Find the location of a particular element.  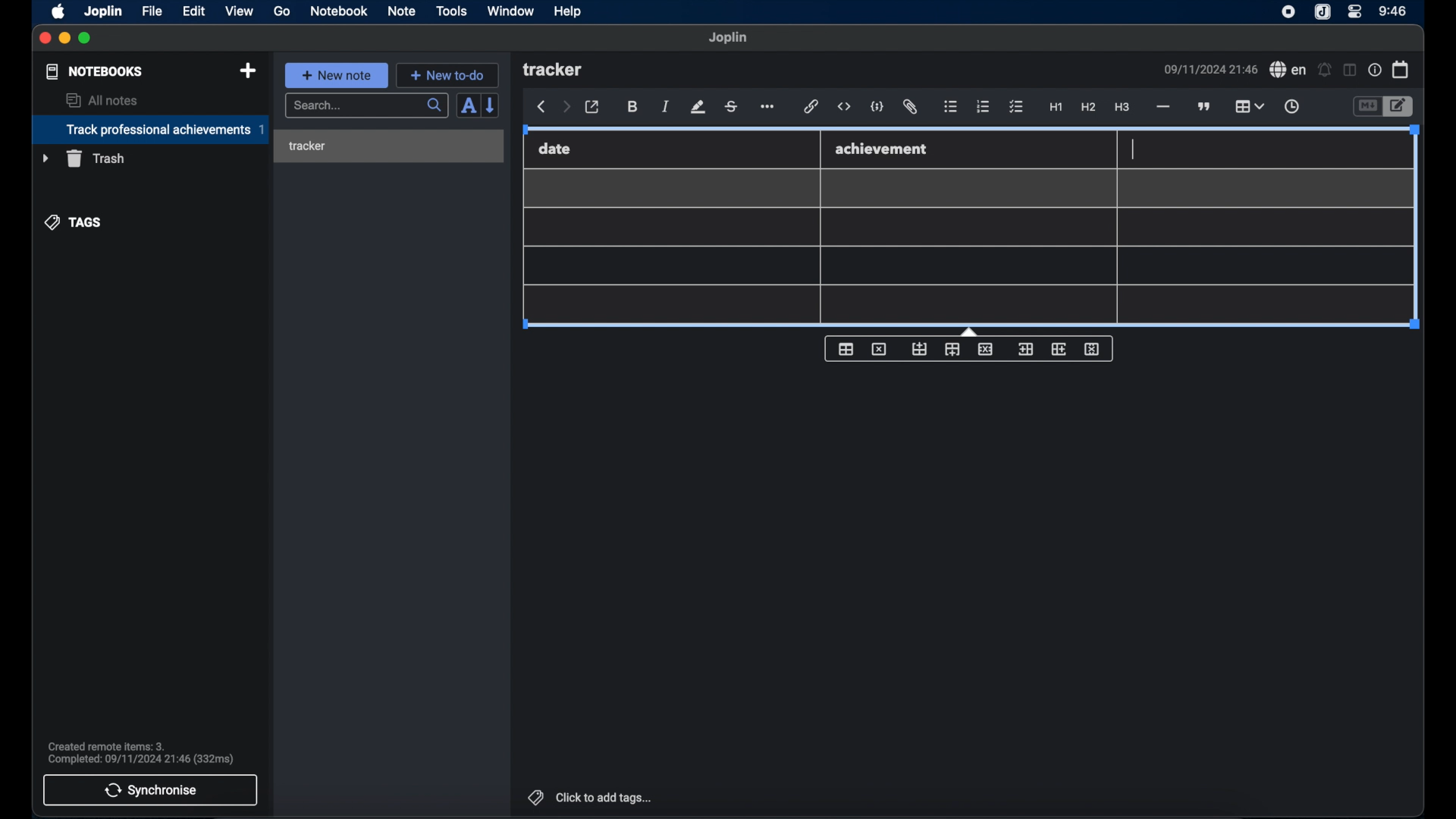

notebook is located at coordinates (339, 11).